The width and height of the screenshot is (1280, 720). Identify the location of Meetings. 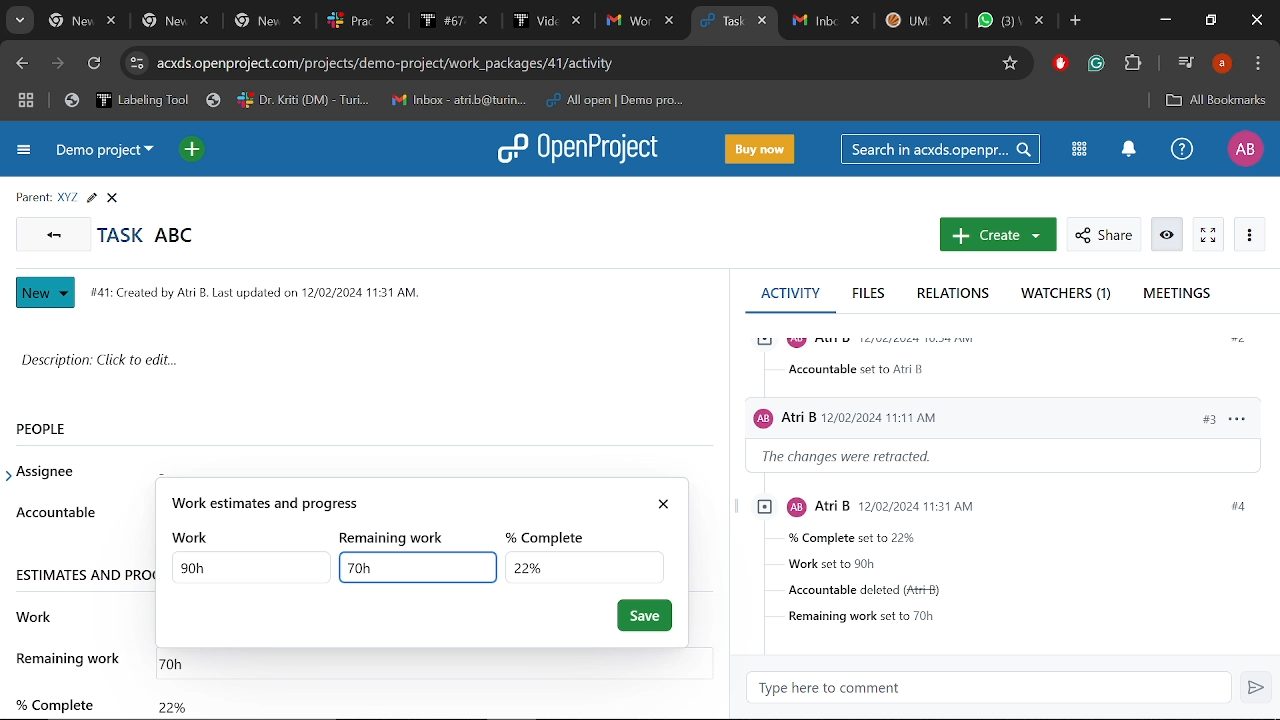
(1177, 294).